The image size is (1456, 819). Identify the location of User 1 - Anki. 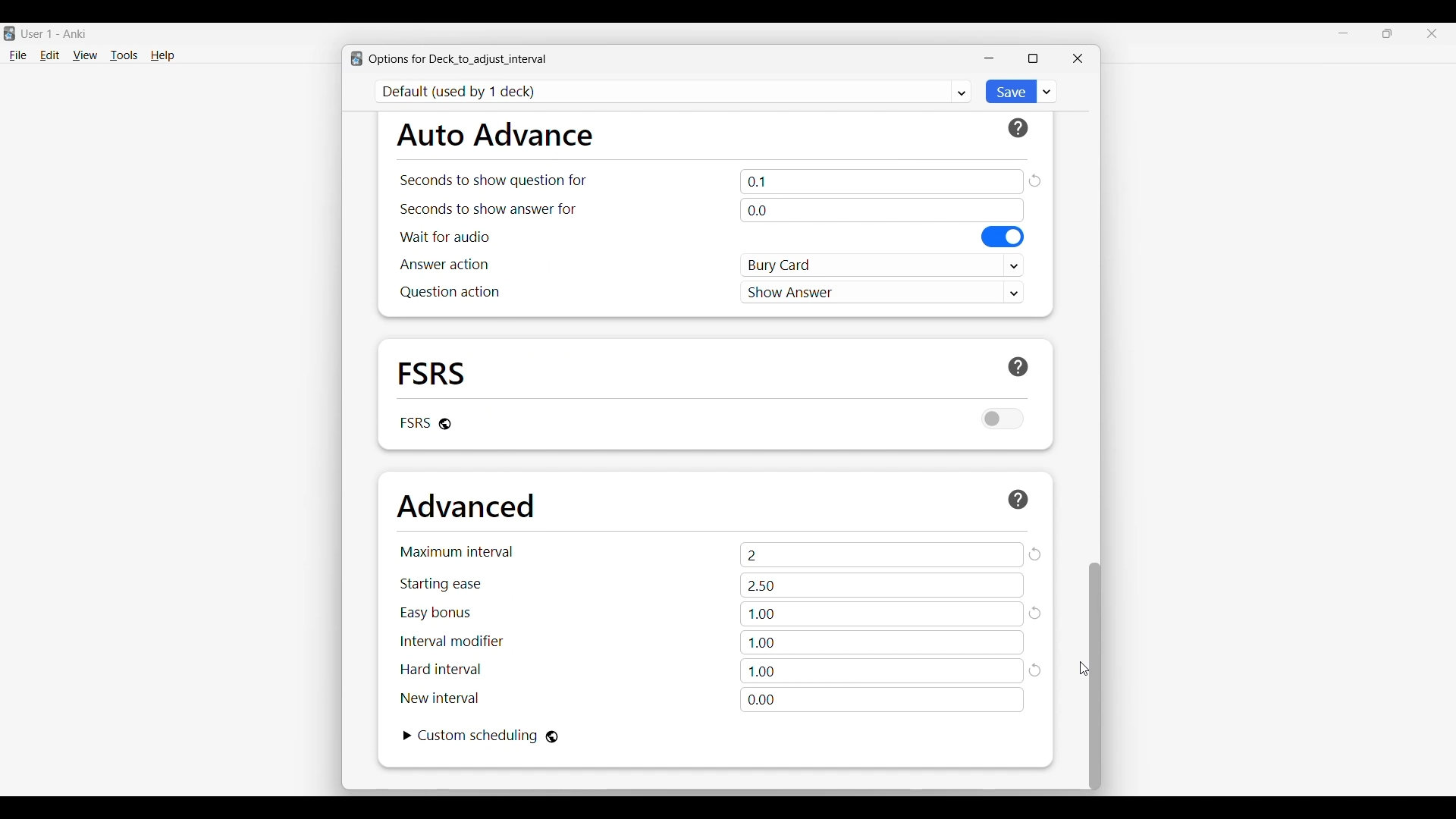
(55, 33).